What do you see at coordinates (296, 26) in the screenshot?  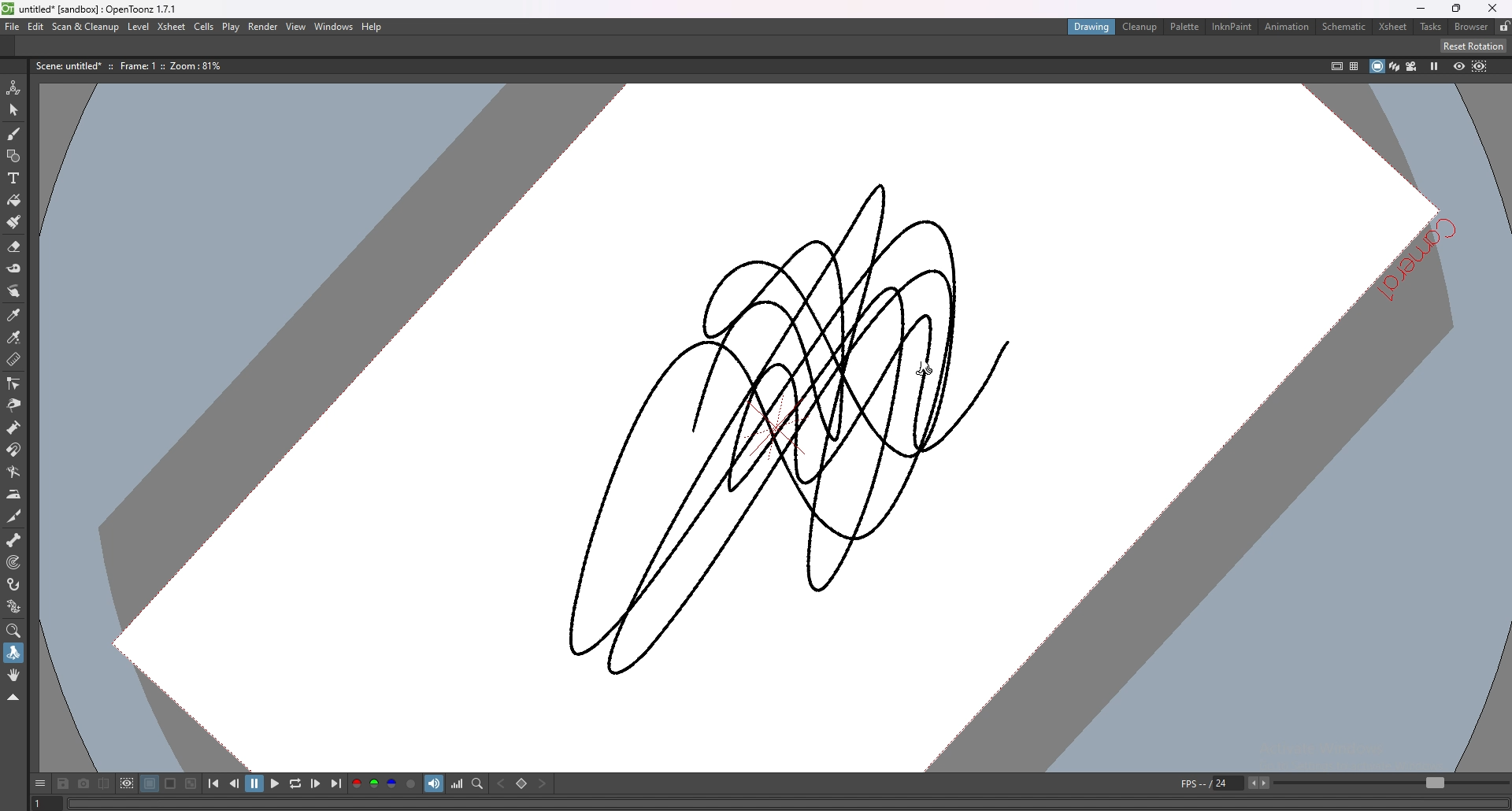 I see `view` at bounding box center [296, 26].